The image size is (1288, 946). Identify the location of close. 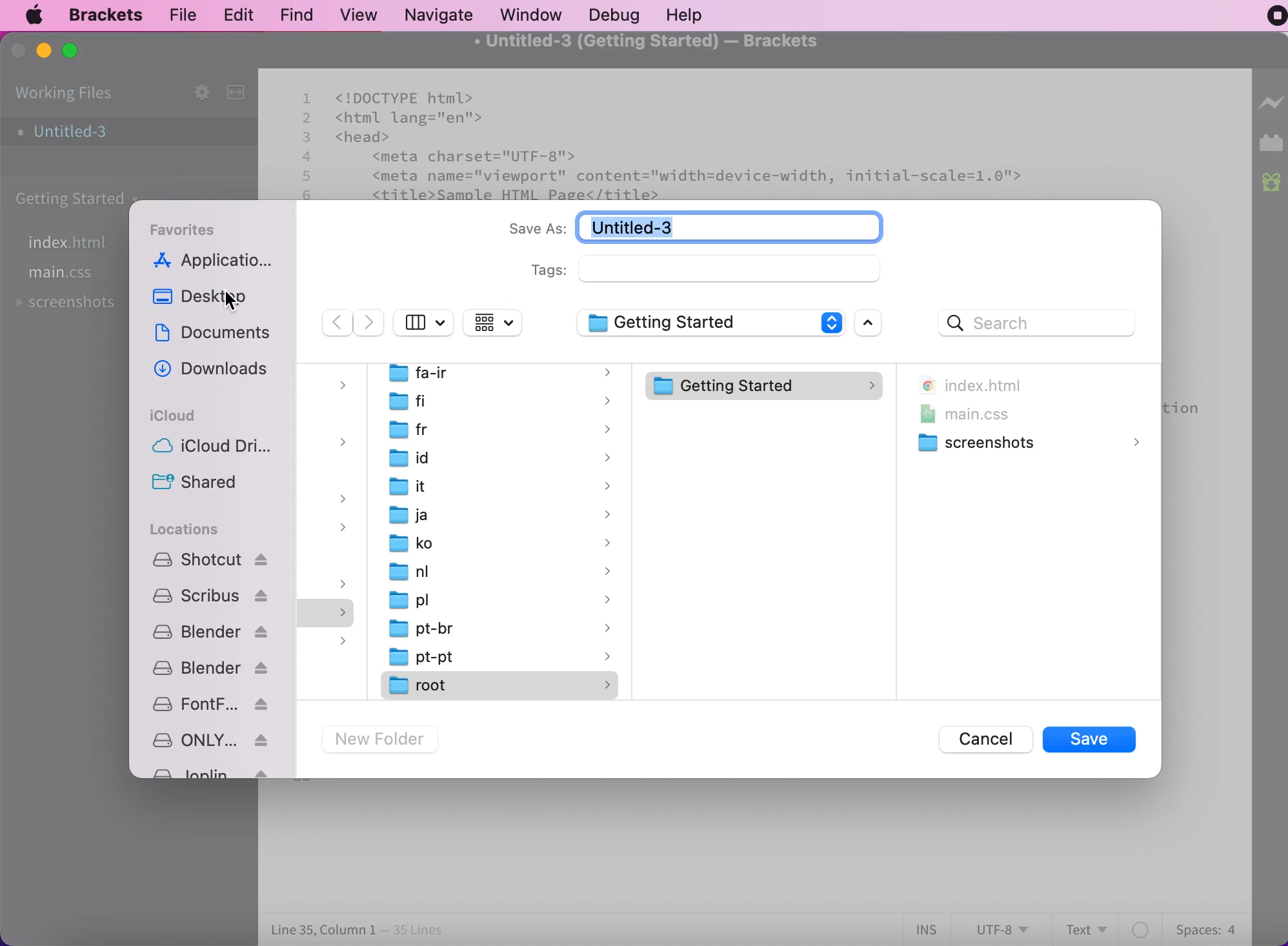
(19, 52).